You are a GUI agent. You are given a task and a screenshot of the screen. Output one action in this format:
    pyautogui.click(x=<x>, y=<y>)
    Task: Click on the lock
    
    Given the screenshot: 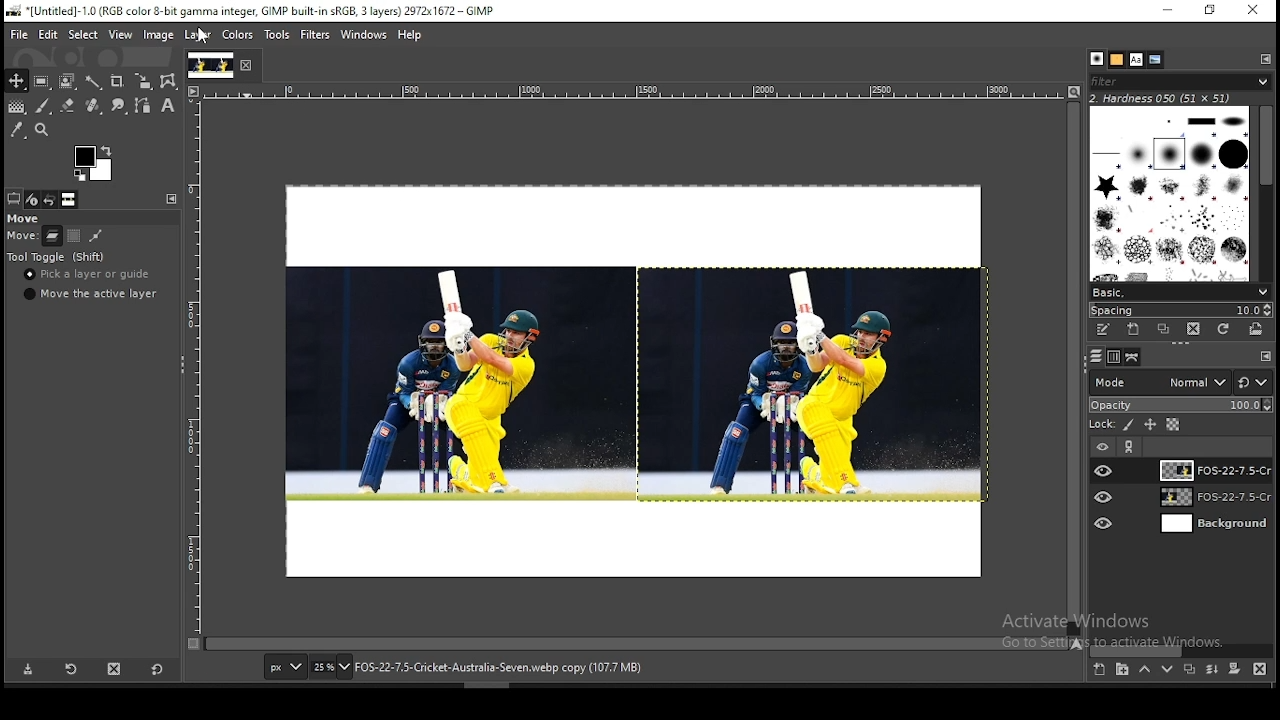 What is the action you would take?
    pyautogui.click(x=1100, y=425)
    